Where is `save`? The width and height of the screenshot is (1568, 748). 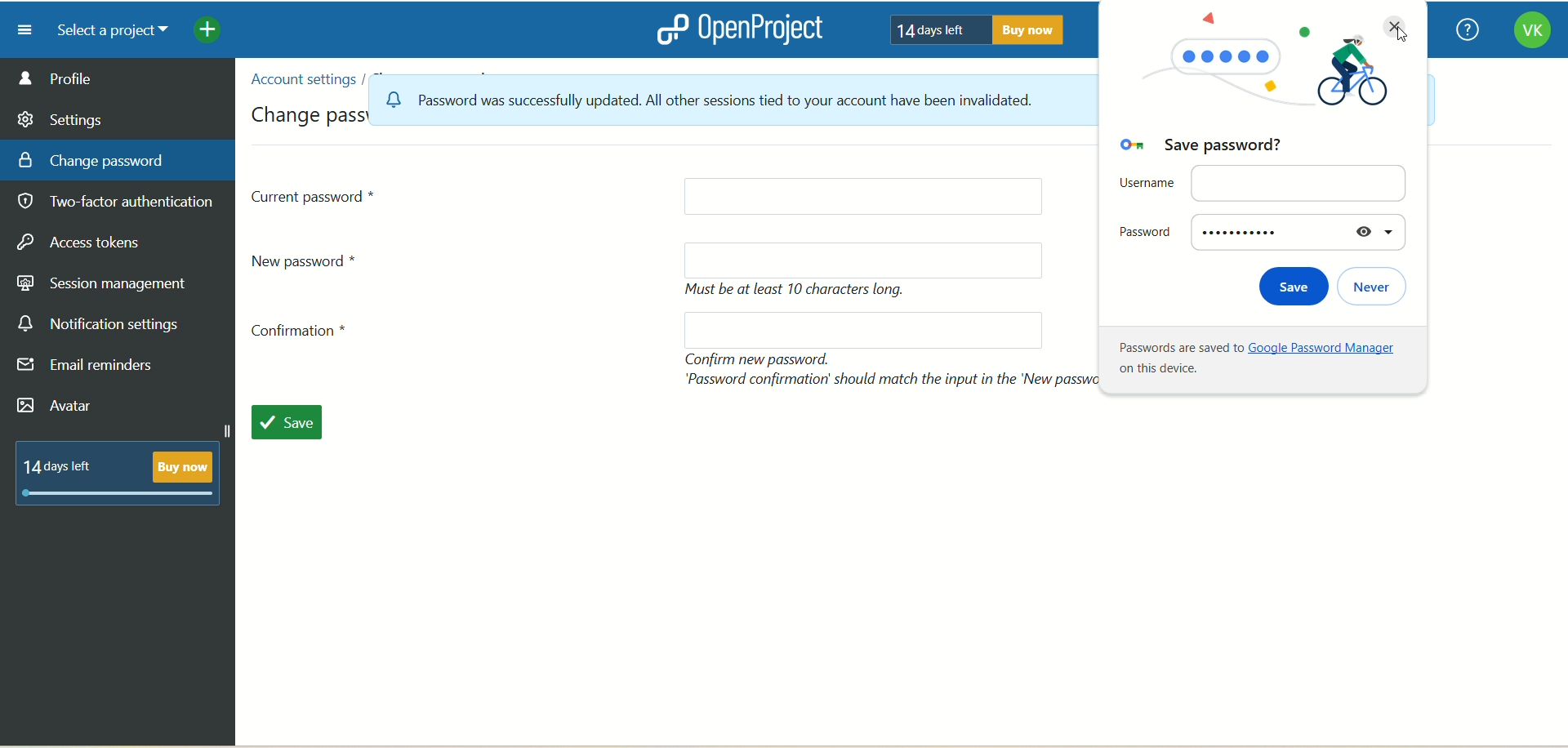 save is located at coordinates (285, 419).